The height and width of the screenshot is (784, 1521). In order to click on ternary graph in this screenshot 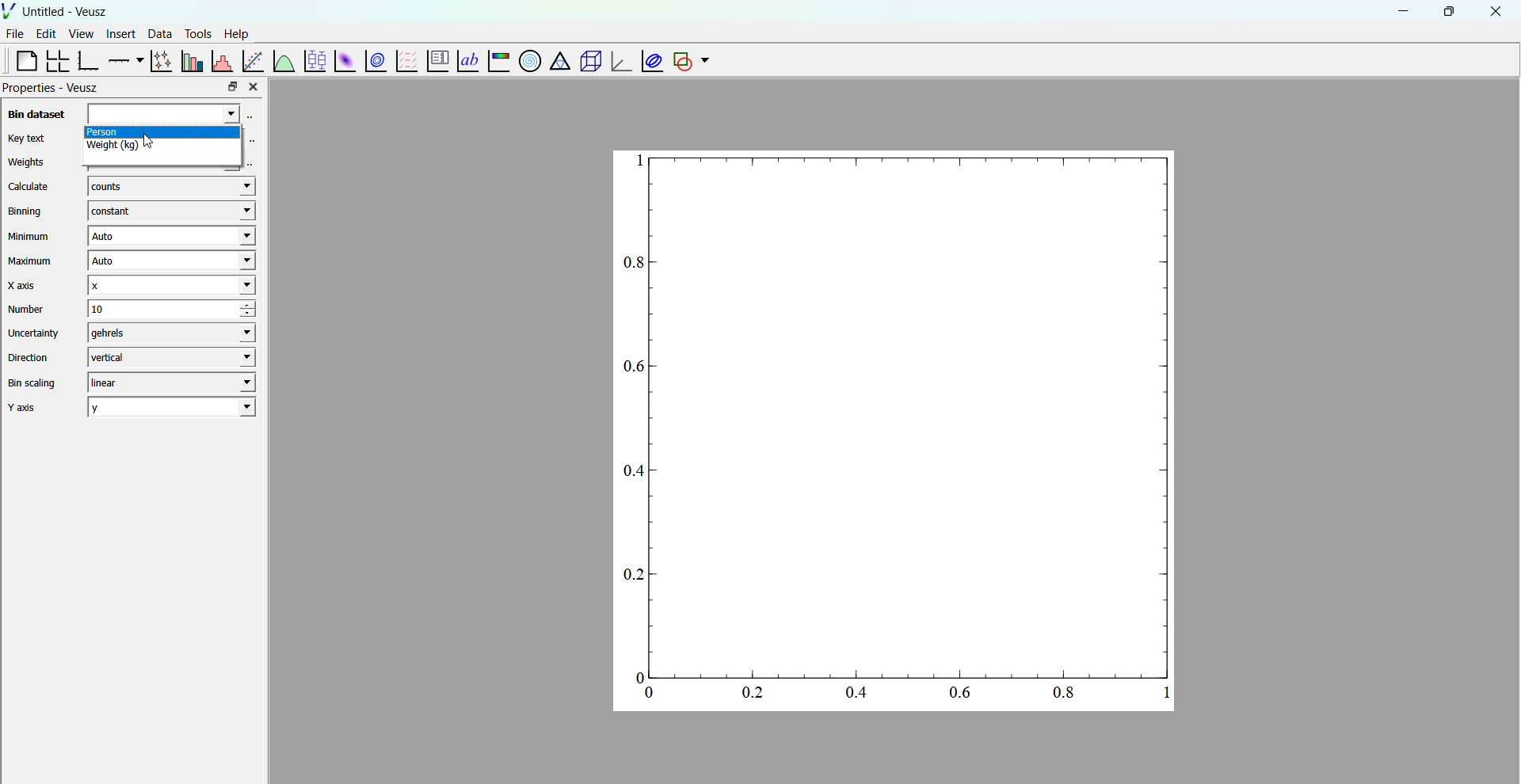, I will do `click(558, 63)`.